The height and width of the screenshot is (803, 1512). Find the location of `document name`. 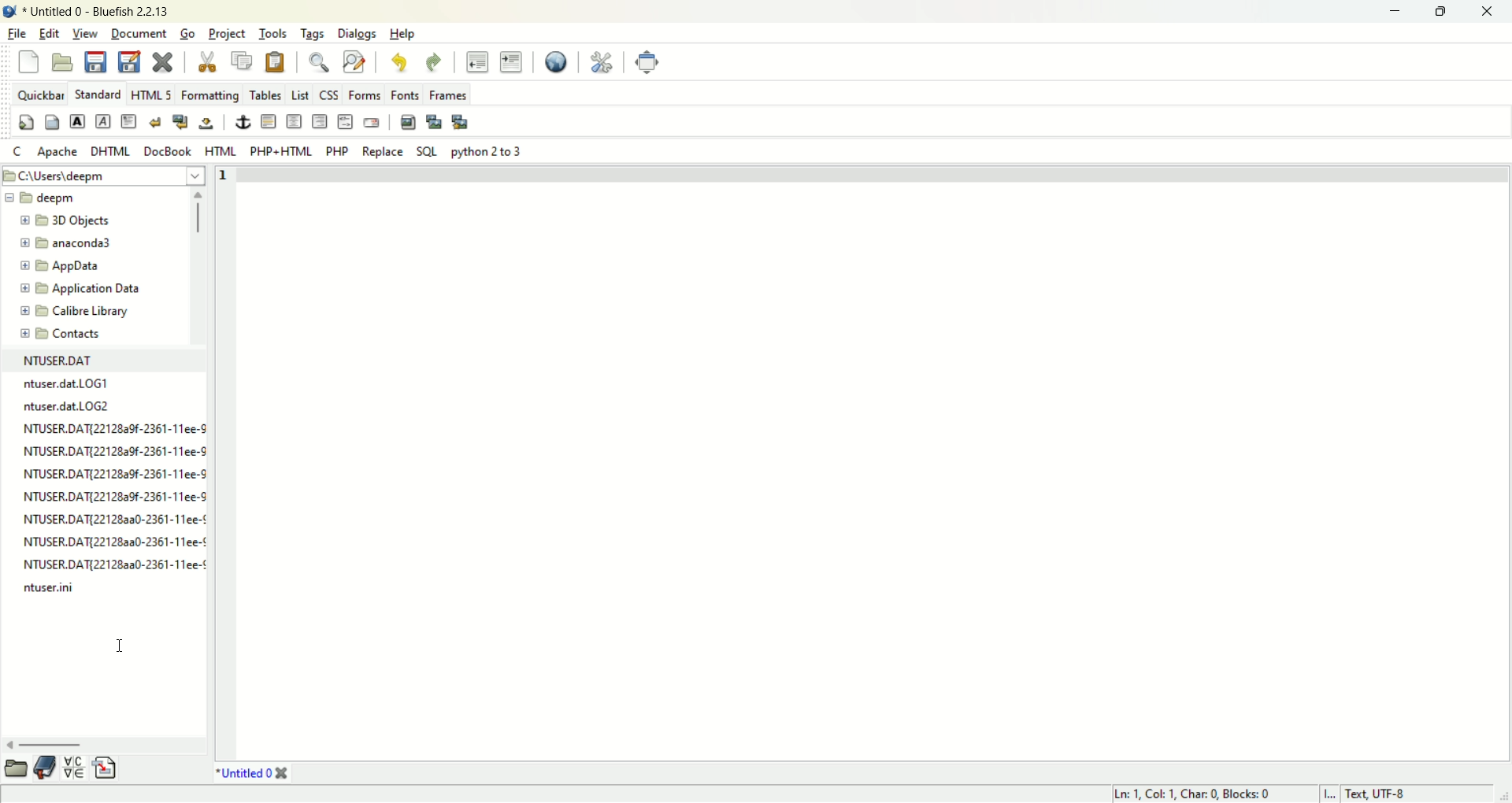

document name is located at coordinates (245, 772).